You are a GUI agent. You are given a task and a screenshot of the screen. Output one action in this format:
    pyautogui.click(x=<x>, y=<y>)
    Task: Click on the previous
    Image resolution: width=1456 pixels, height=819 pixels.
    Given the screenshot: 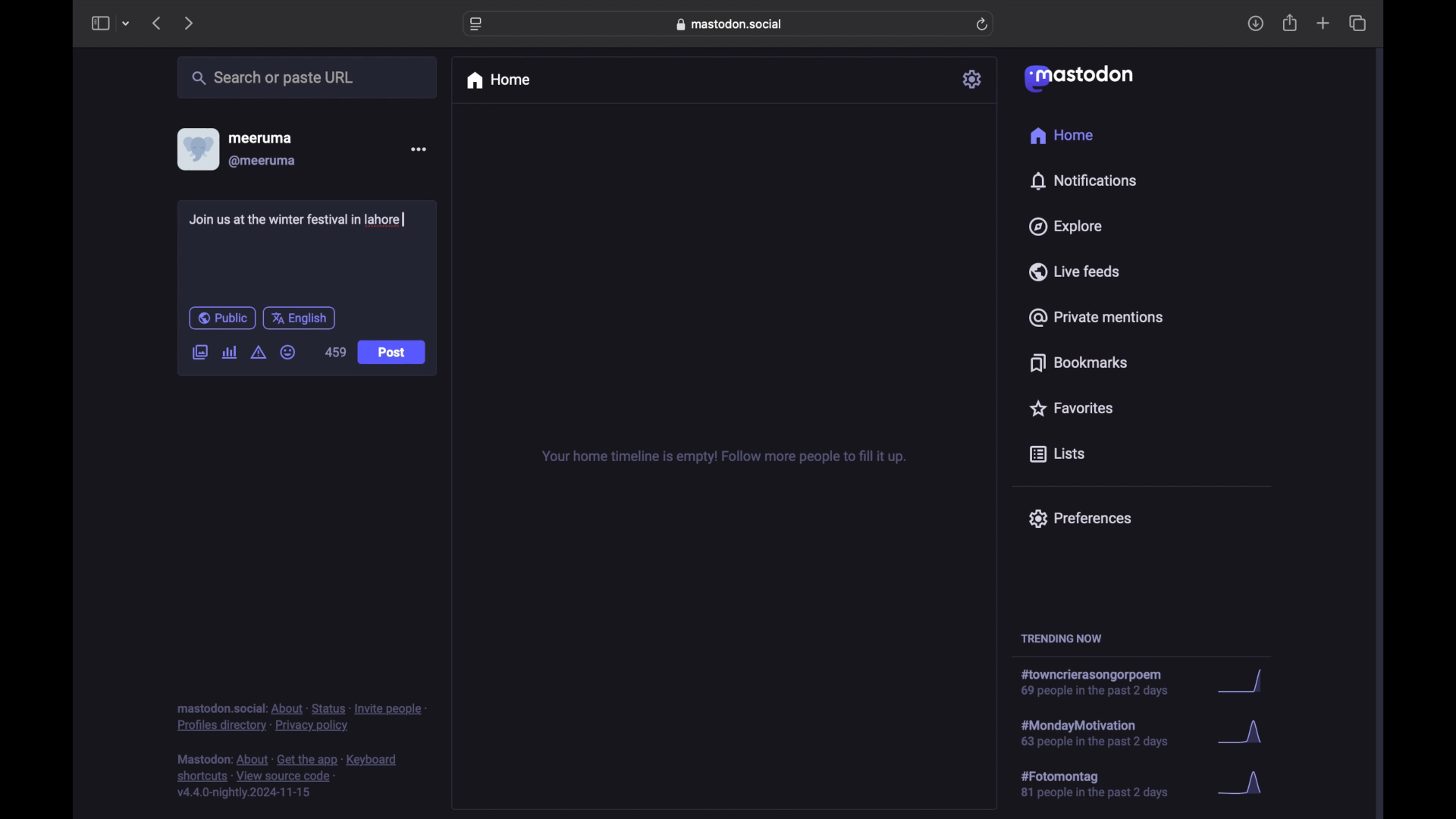 What is the action you would take?
    pyautogui.click(x=156, y=23)
    